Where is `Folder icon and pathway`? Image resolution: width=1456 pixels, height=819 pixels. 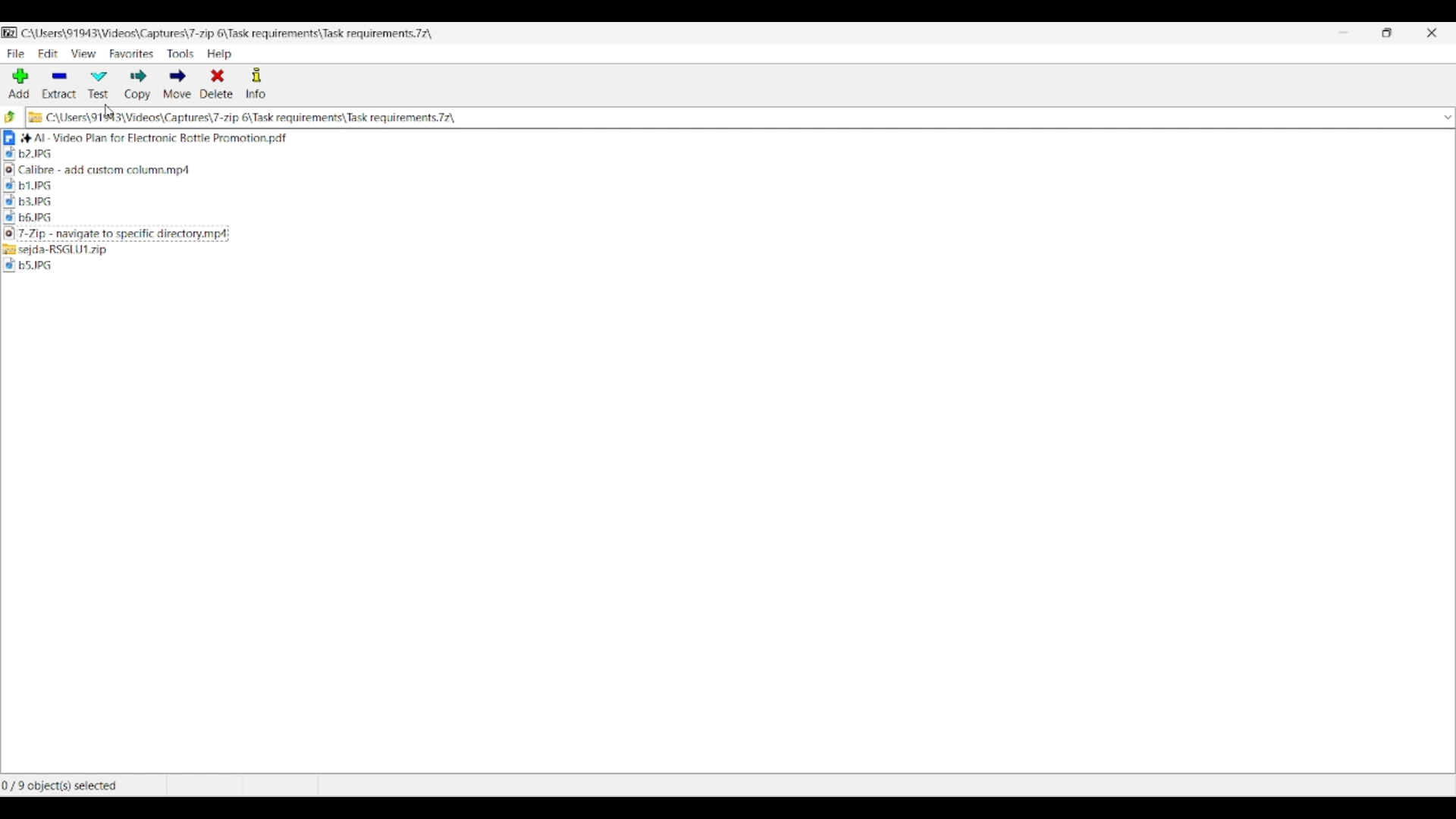 Folder icon and pathway is located at coordinates (243, 118).